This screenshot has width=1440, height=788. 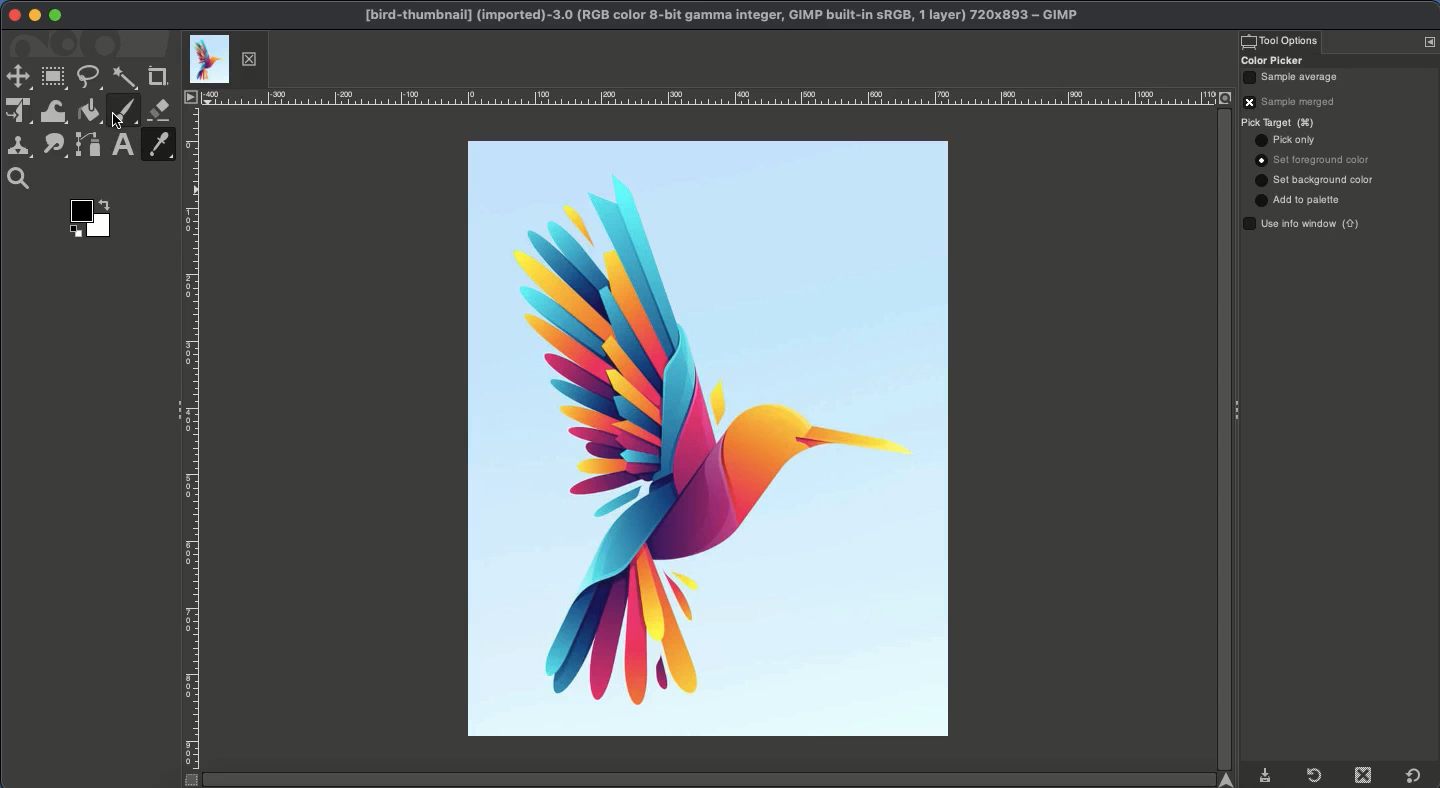 I want to click on Tab, so click(x=224, y=59).